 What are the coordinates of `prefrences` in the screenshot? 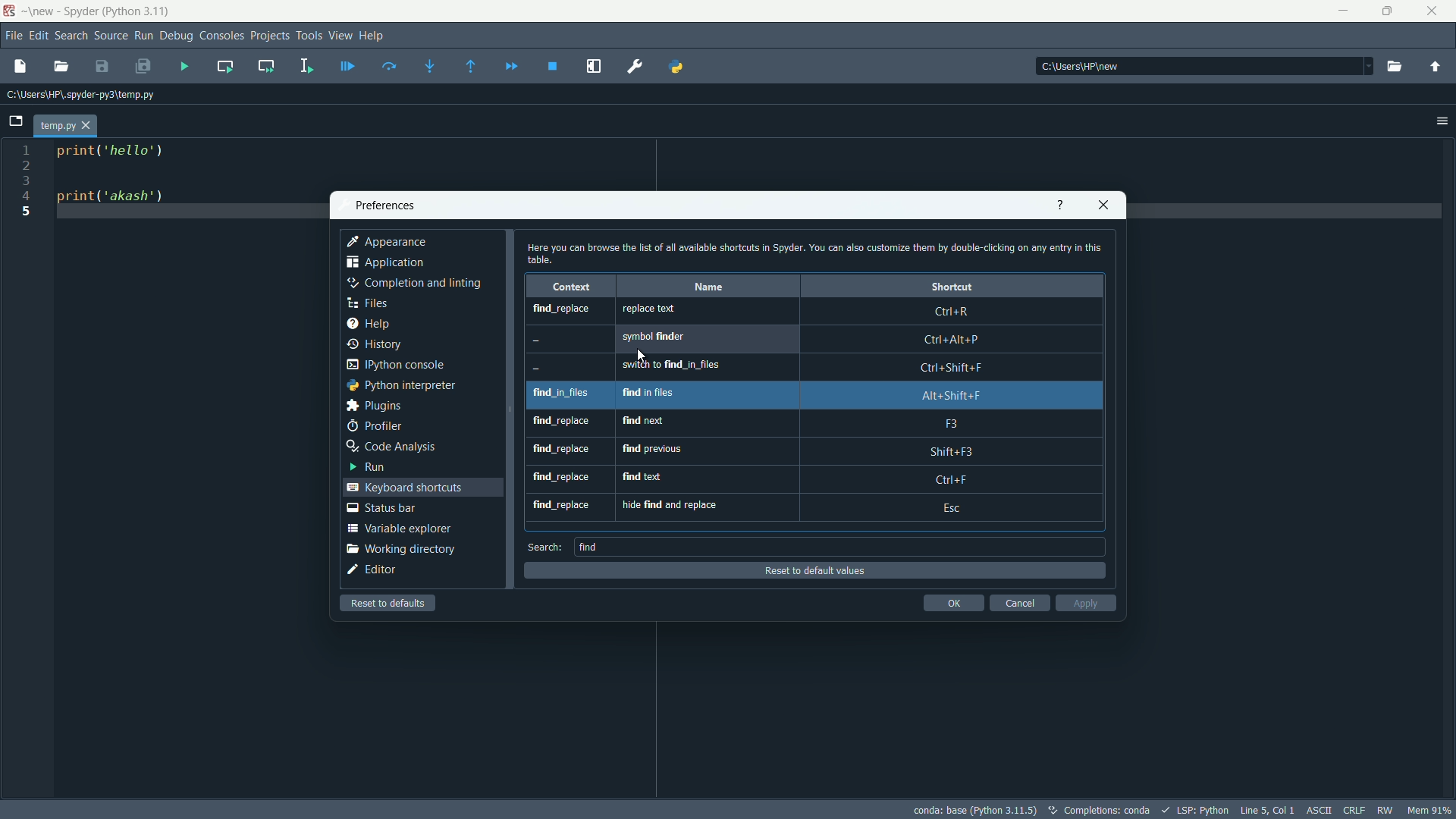 It's located at (390, 206).